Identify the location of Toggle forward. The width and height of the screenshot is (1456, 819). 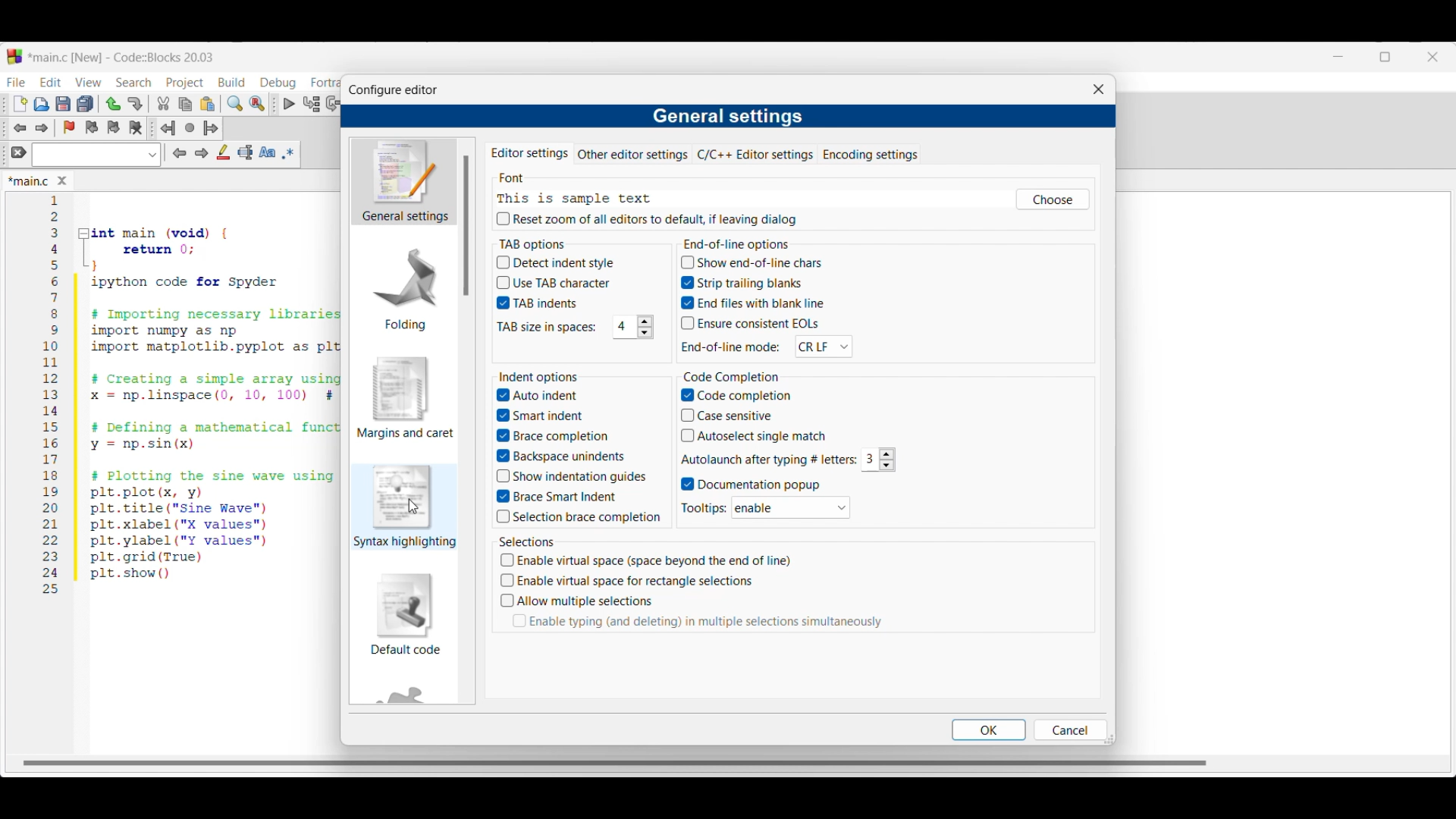
(42, 128).